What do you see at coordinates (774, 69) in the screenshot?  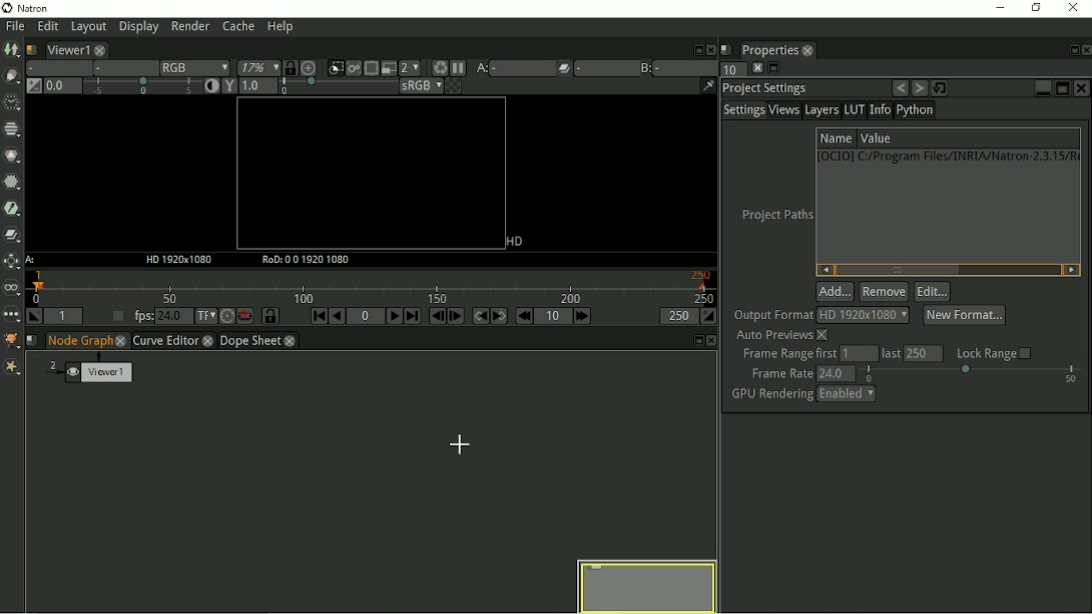 I see `Float pane` at bounding box center [774, 69].